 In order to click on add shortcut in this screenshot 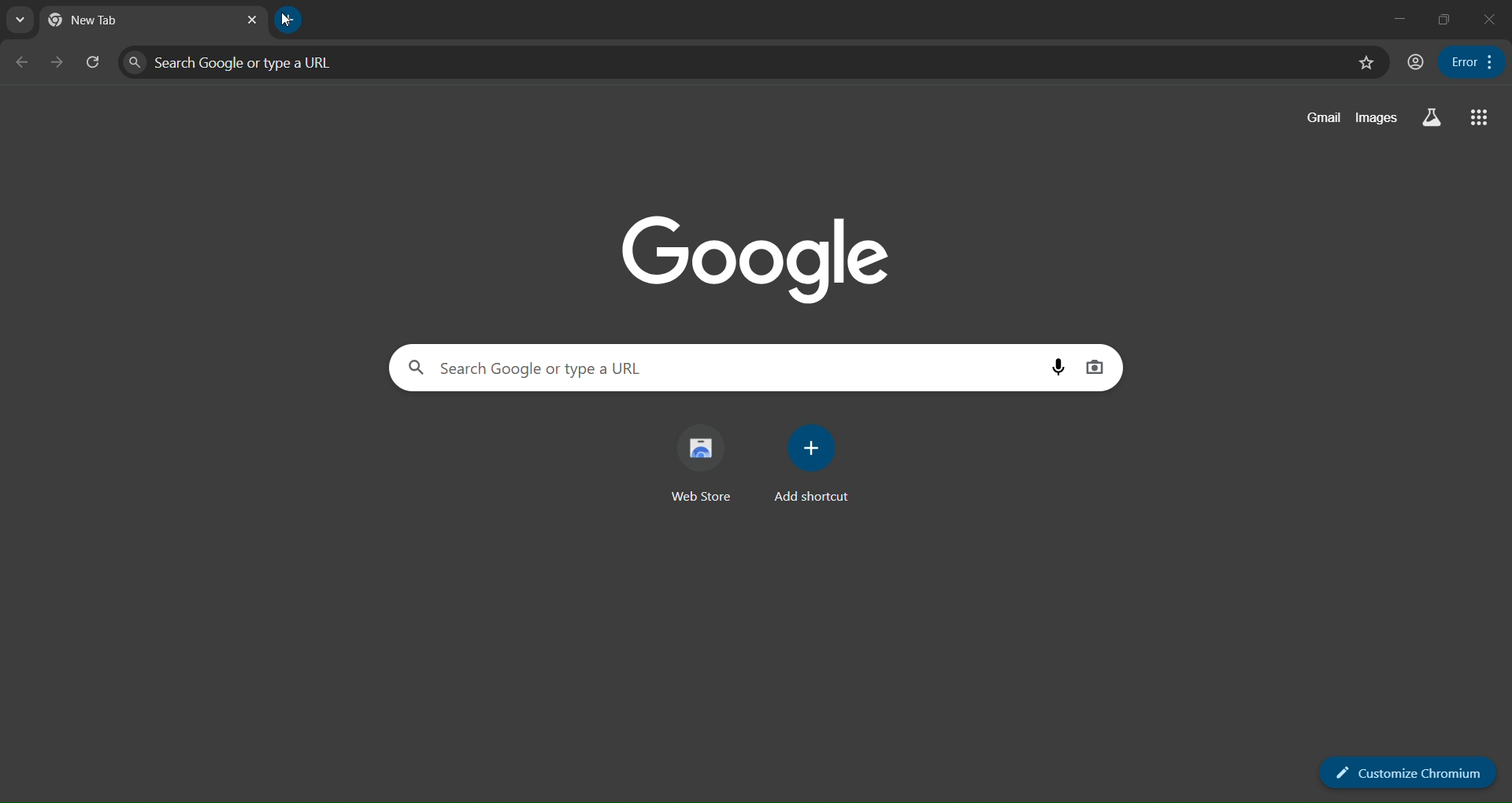, I will do `click(806, 465)`.